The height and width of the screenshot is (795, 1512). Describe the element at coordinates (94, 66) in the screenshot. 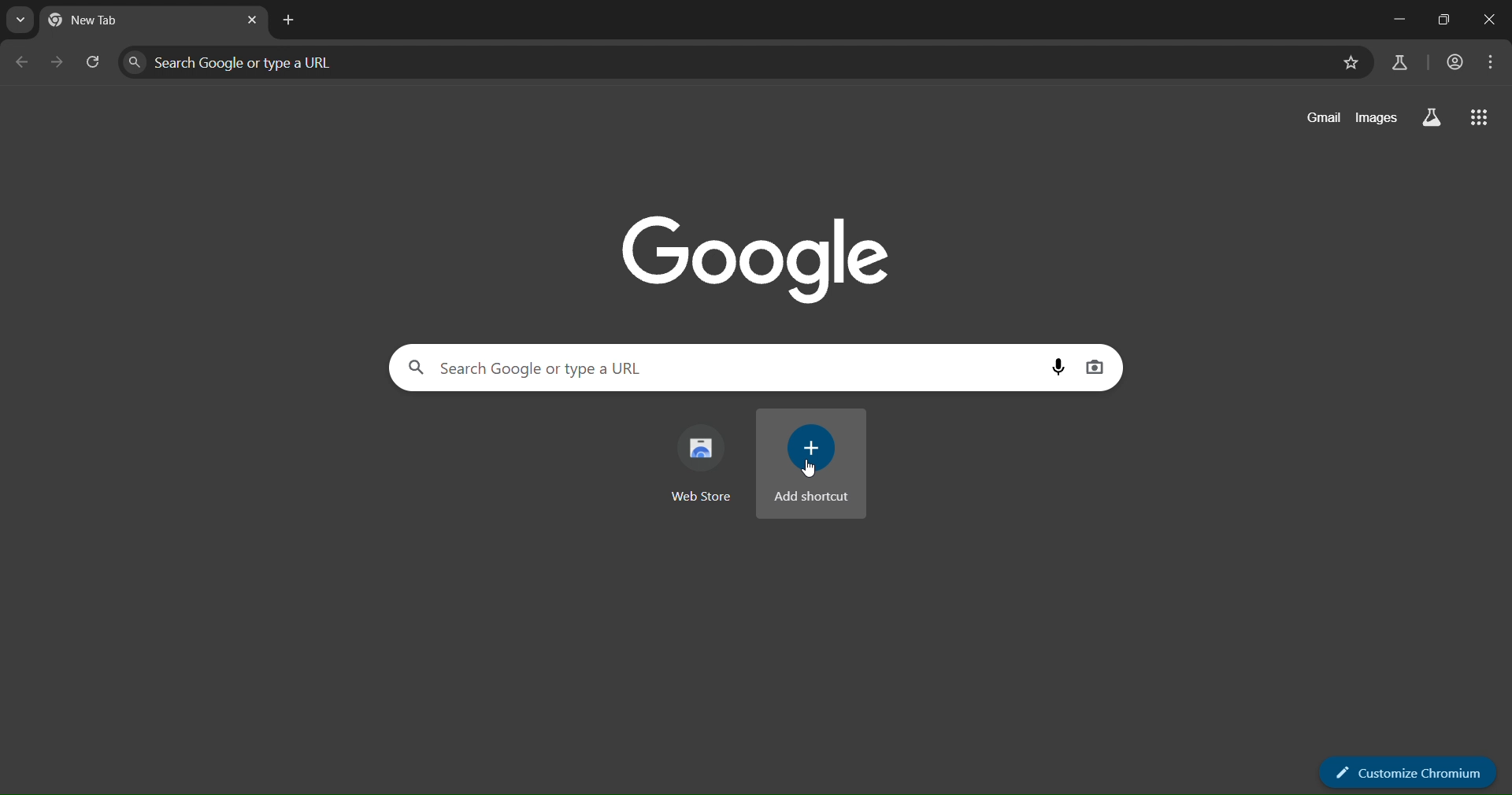

I see `reload page` at that location.